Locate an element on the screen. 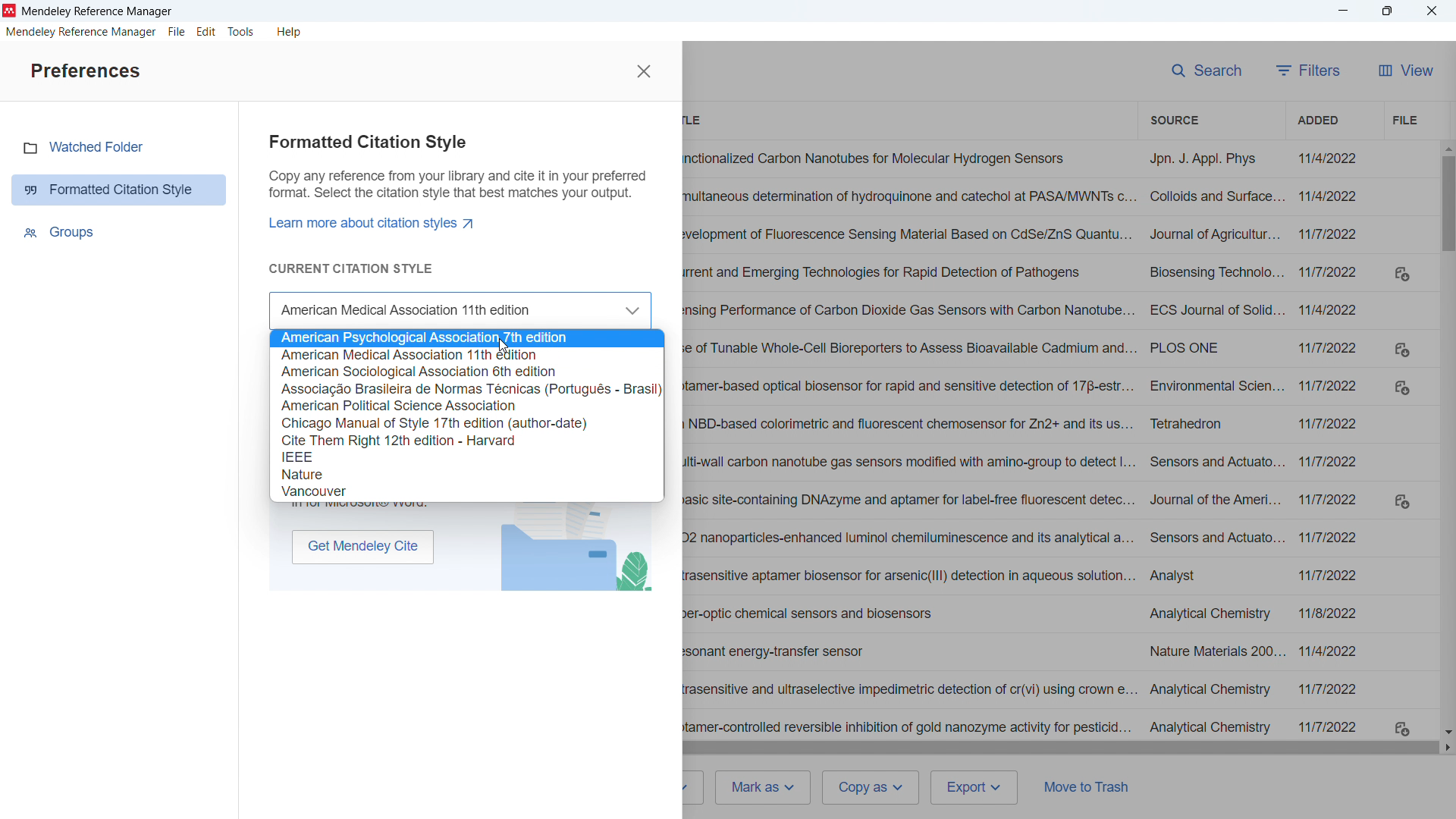 The width and height of the screenshot is (1456, 819). Sort by date added is located at coordinates (1315, 120).